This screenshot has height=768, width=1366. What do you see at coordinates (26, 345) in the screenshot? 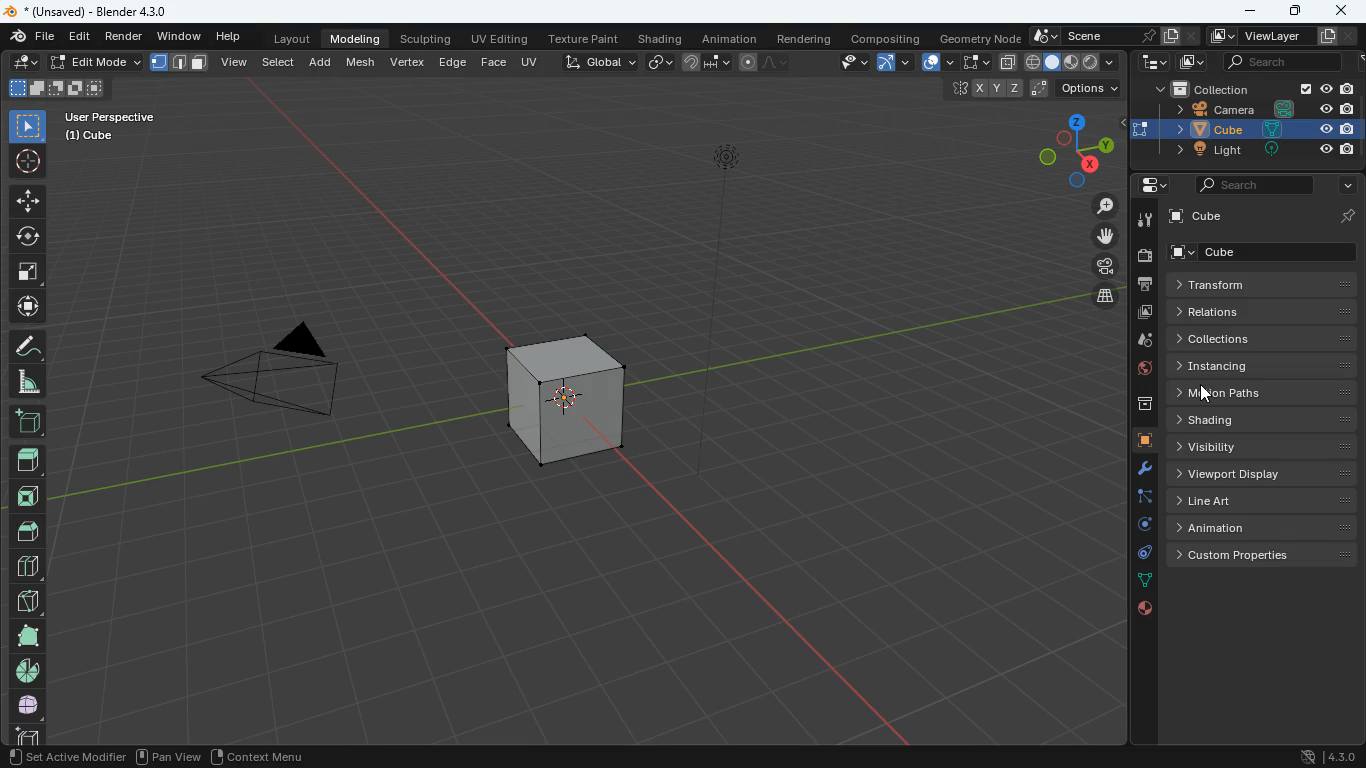
I see `draw` at bounding box center [26, 345].